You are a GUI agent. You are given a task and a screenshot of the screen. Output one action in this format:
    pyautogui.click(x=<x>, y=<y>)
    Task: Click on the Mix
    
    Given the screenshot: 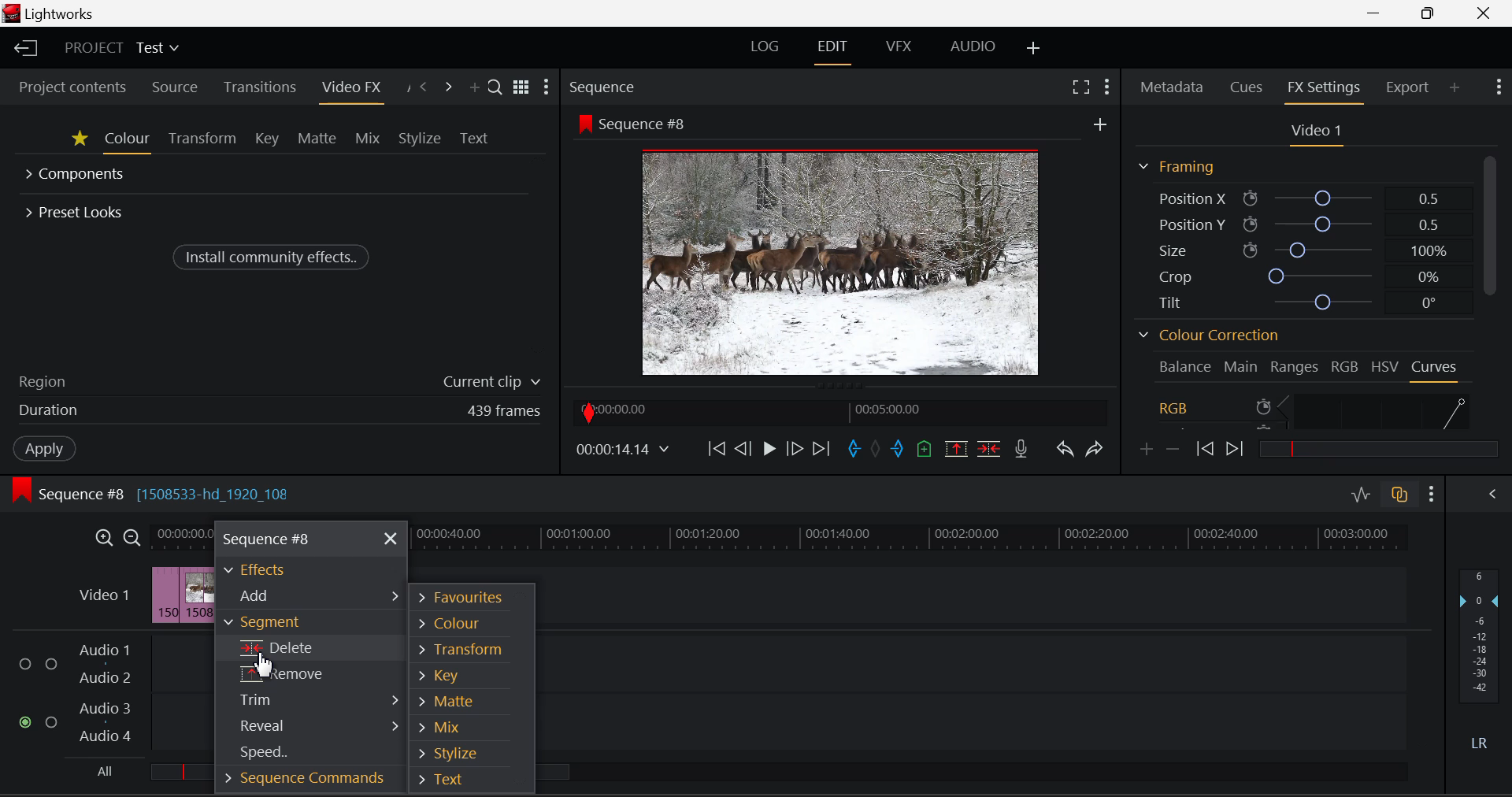 What is the action you would take?
    pyautogui.click(x=369, y=139)
    